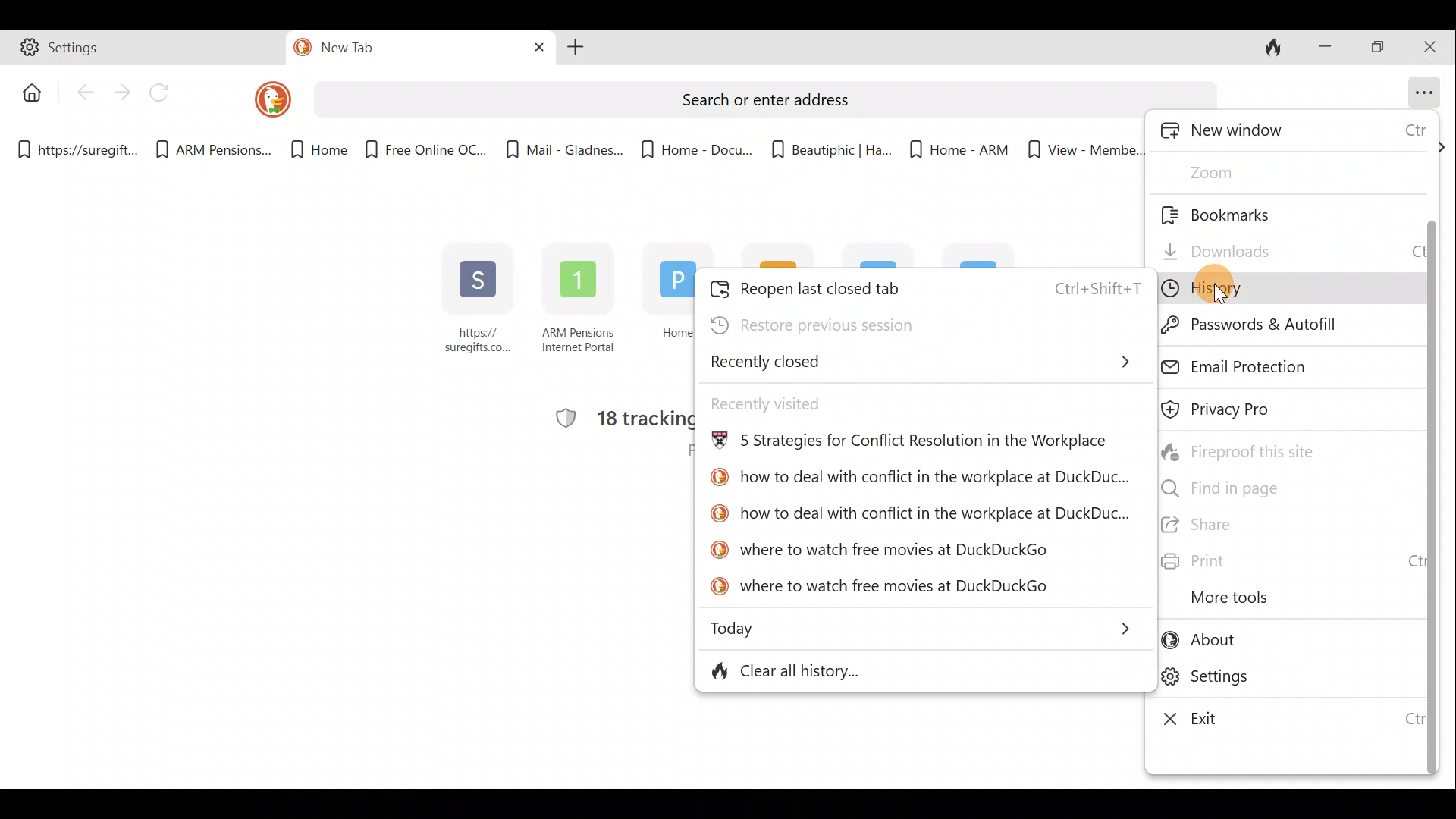 The image size is (1456, 819). I want to click on Close, so click(1433, 45).